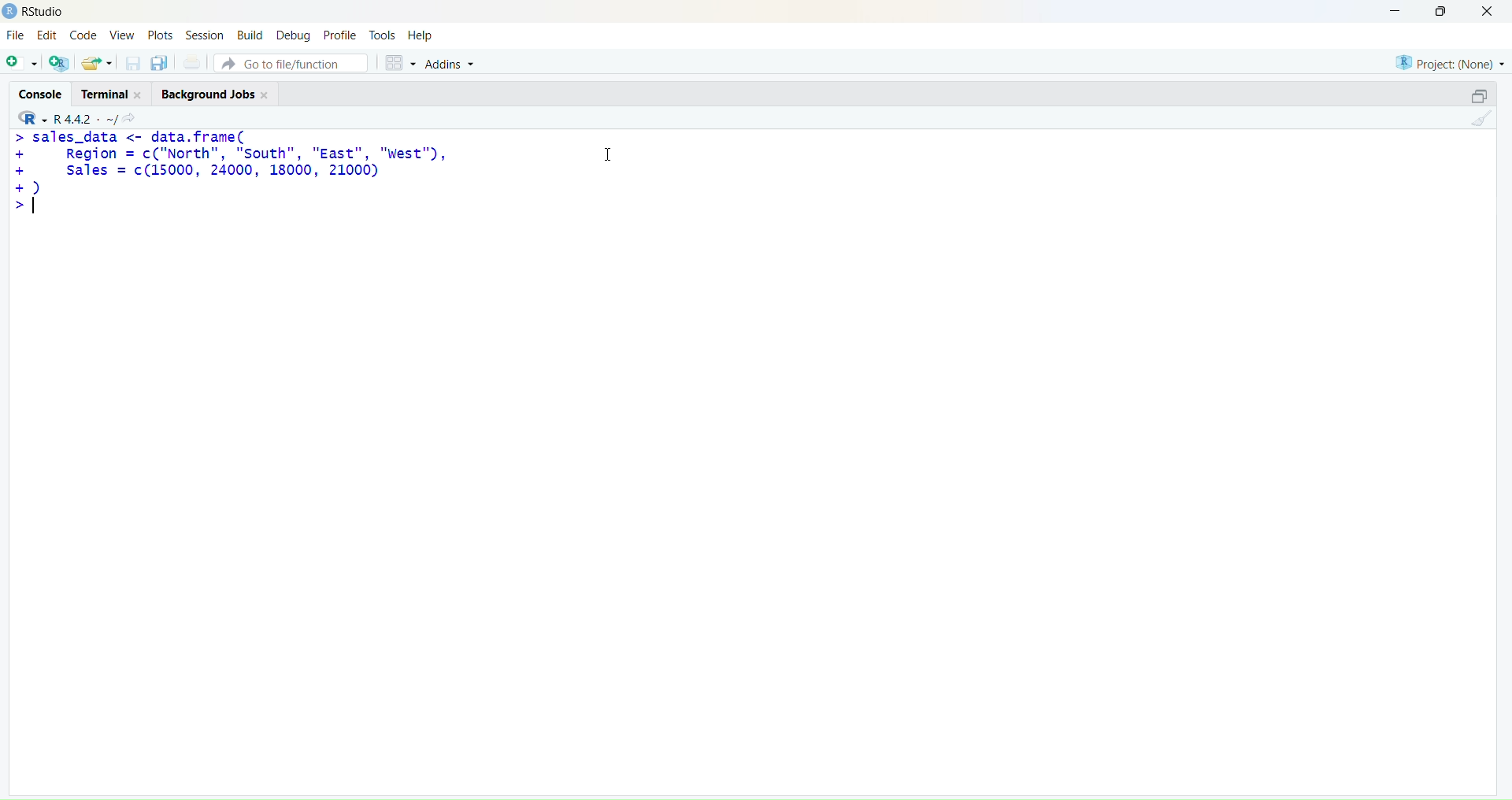  I want to click on add multiple scripts, so click(60, 65).